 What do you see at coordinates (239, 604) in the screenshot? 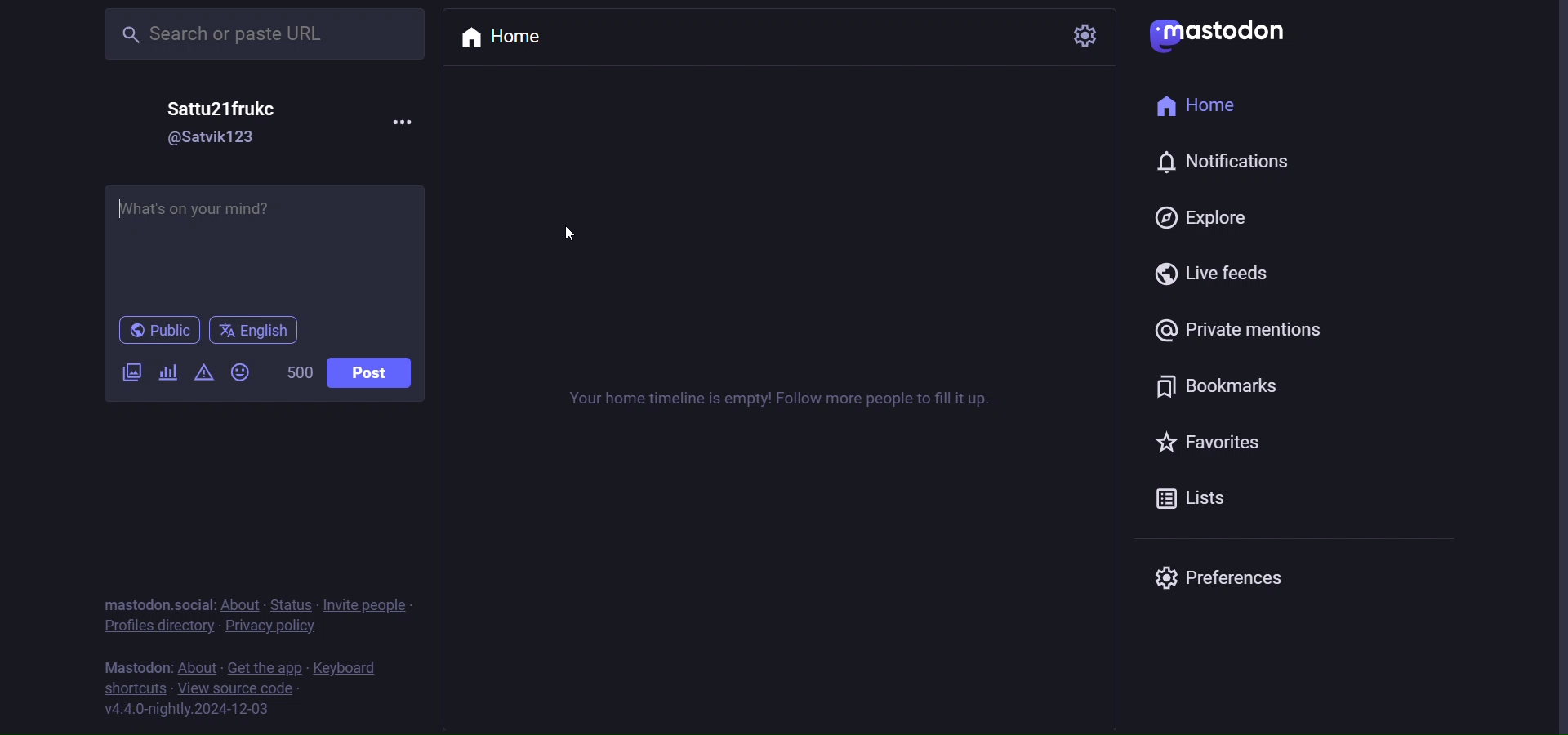
I see `about` at bounding box center [239, 604].